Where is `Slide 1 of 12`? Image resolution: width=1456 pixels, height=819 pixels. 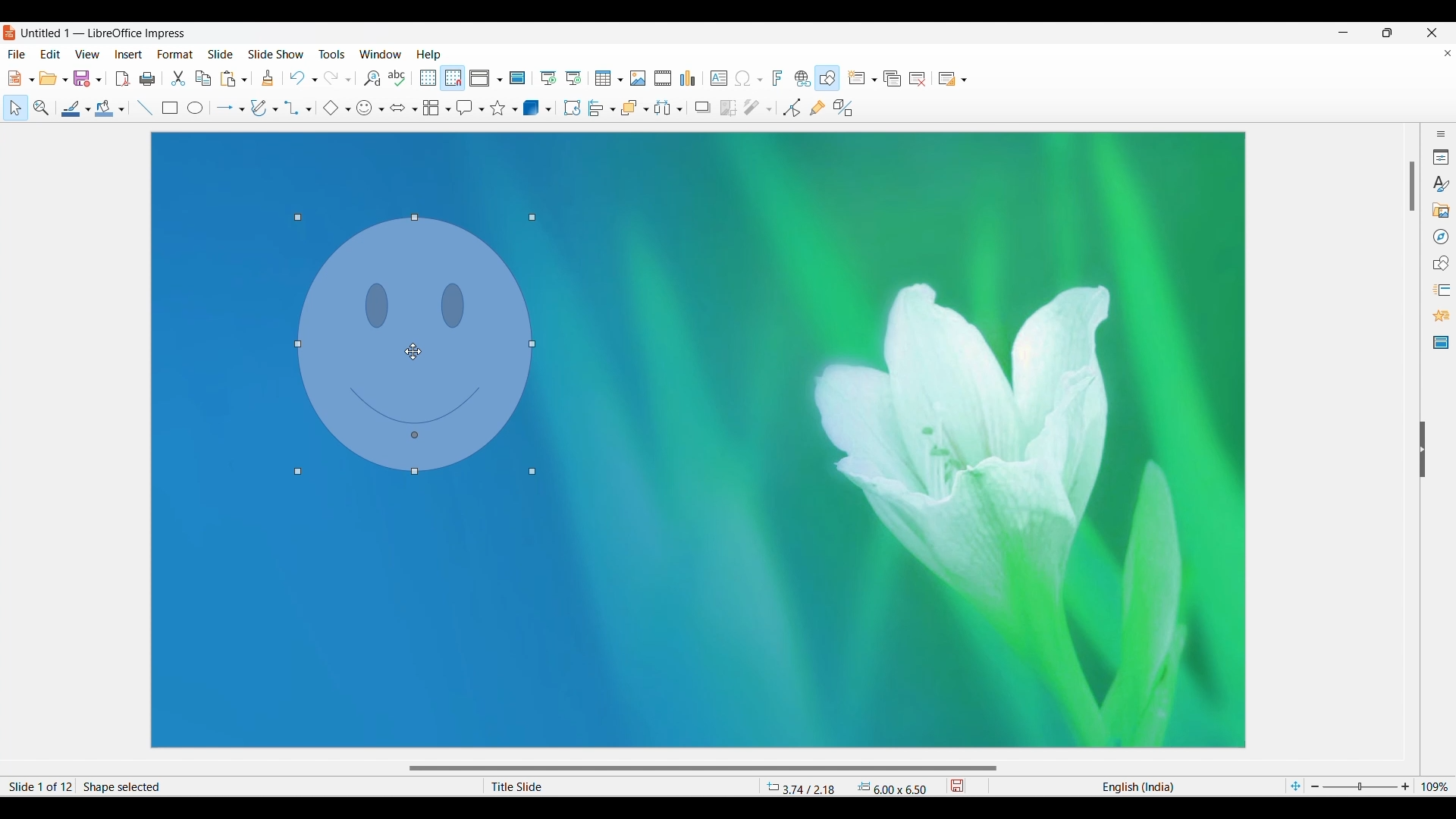
Slide 1 of 12 is located at coordinates (38, 786).